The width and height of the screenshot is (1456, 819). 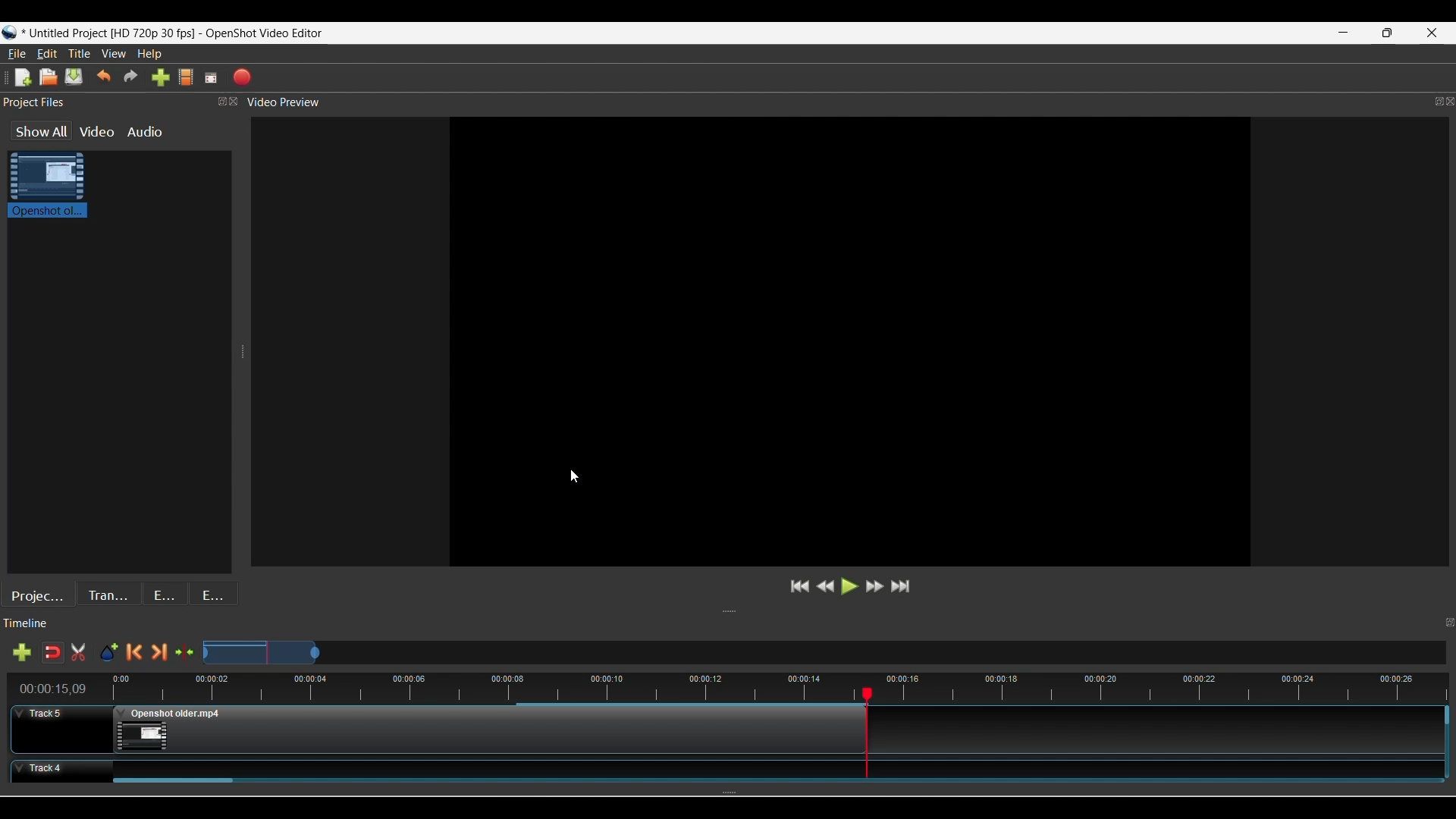 What do you see at coordinates (21, 652) in the screenshot?
I see `Add track` at bounding box center [21, 652].